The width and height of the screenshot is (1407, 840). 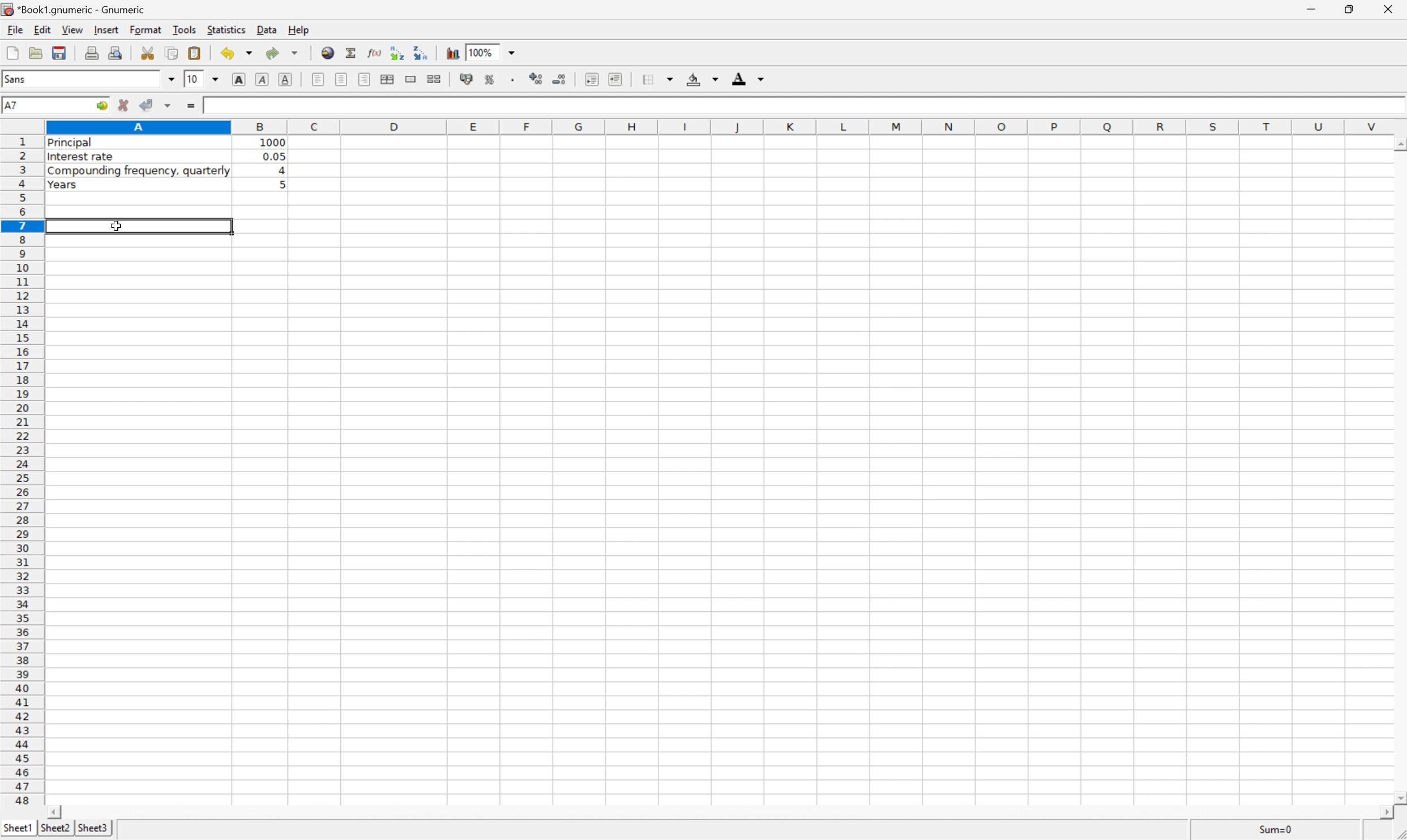 I want to click on split merged range of cells, so click(x=434, y=79).